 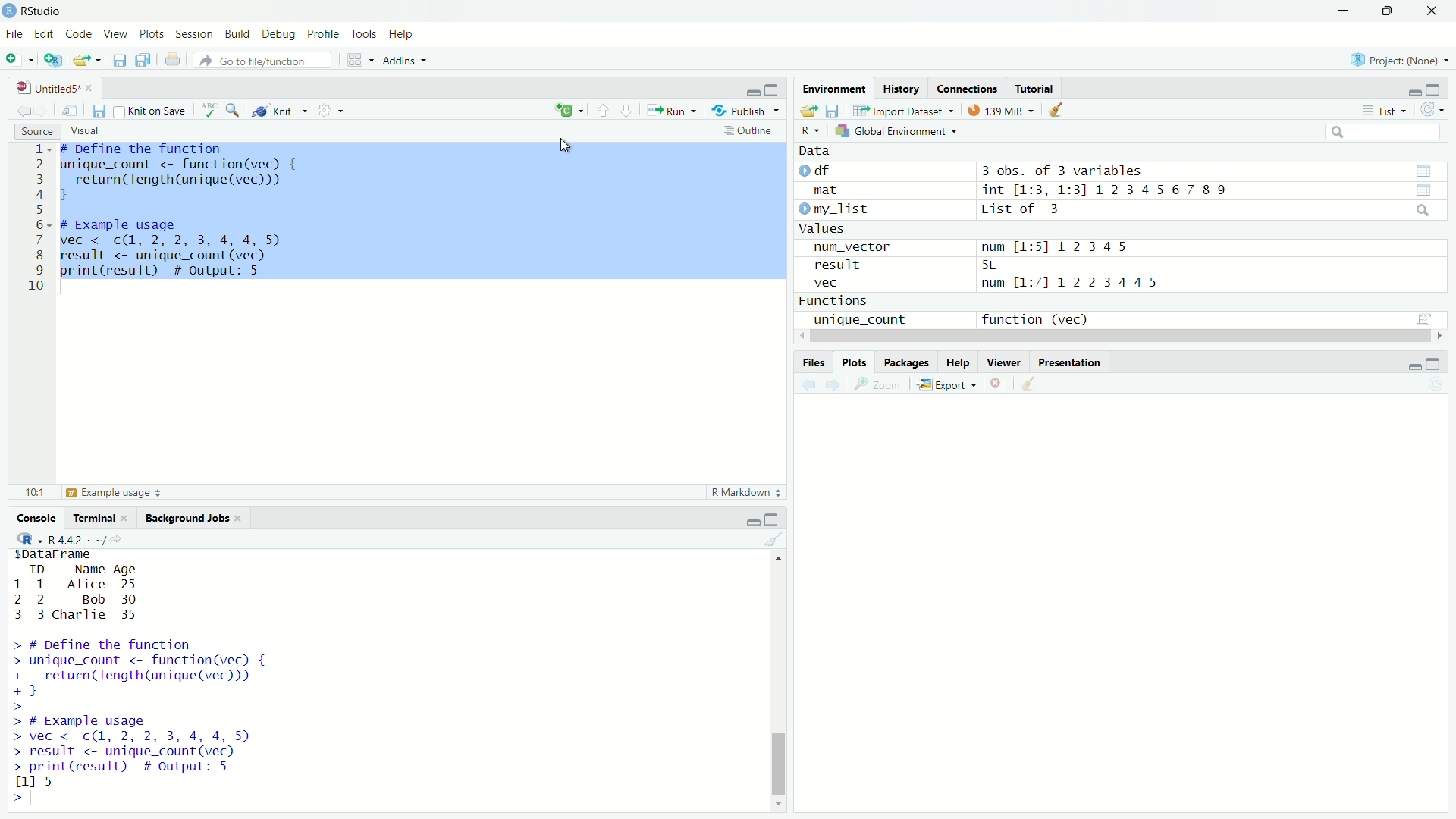 What do you see at coordinates (958, 362) in the screenshot?
I see `Help` at bounding box center [958, 362].